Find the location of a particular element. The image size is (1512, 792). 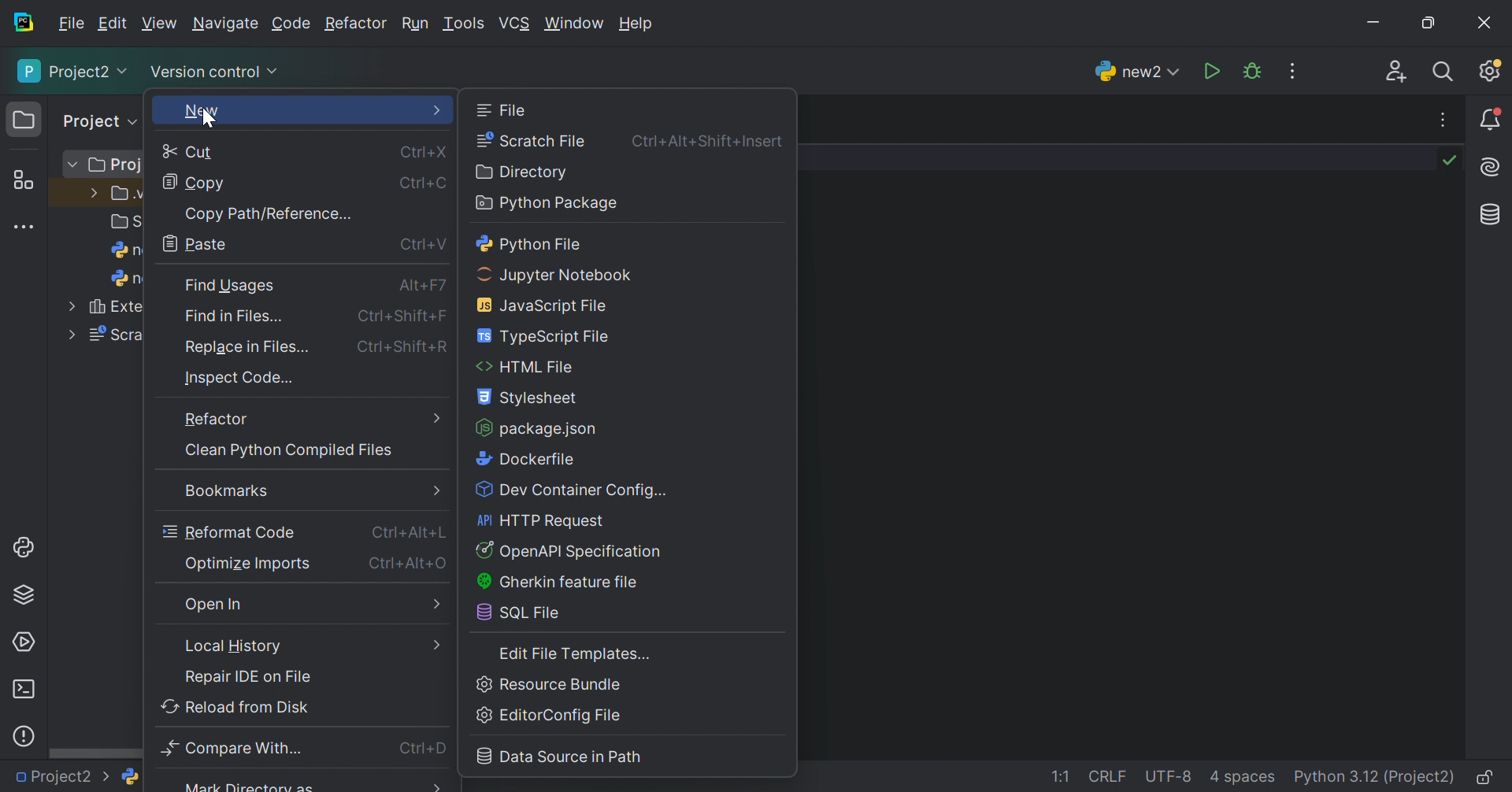

Ctrl+X is located at coordinates (428, 152).